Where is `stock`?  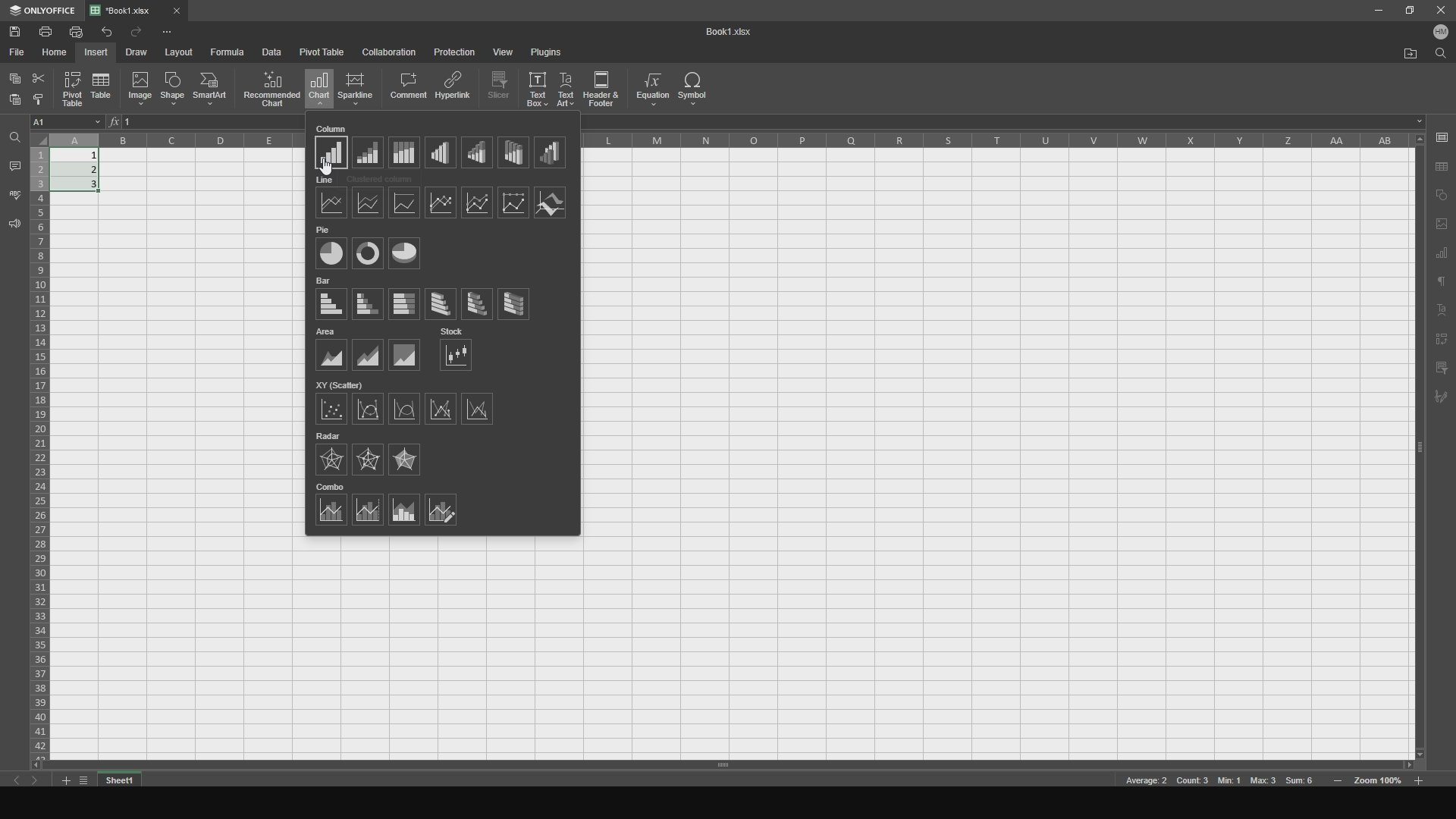
stock is located at coordinates (470, 350).